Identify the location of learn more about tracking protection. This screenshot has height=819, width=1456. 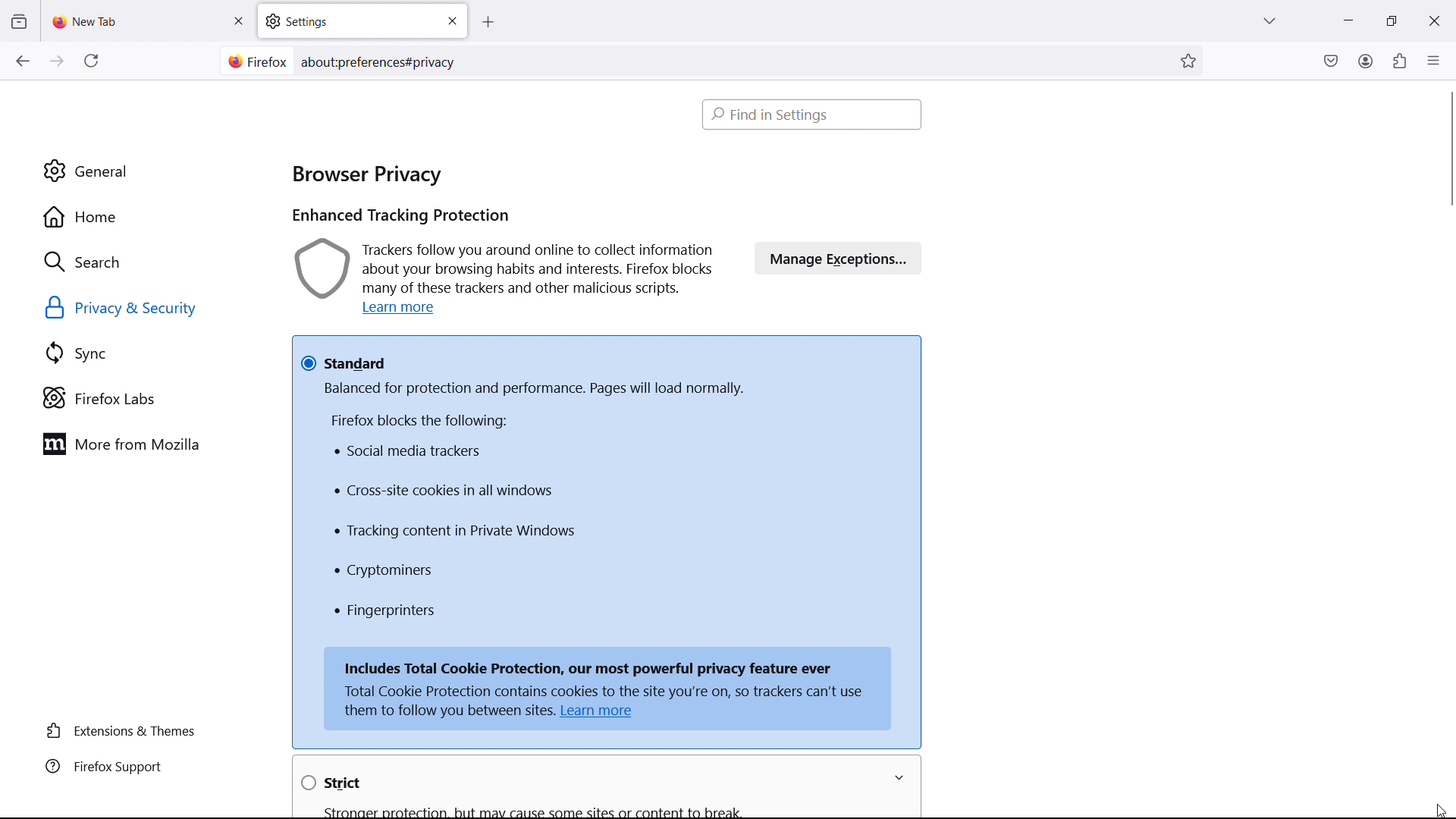
(403, 309).